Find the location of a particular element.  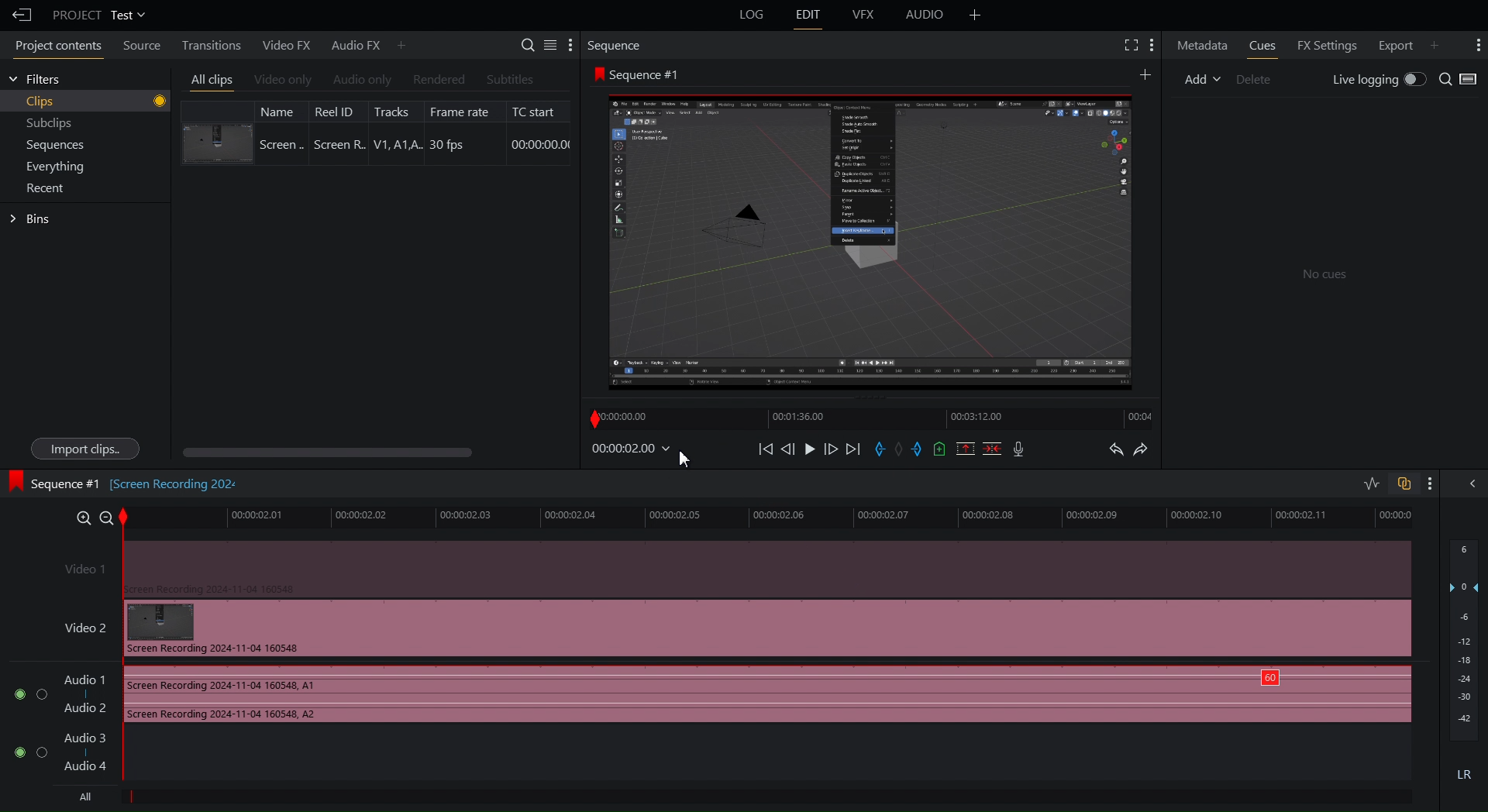

Zoom is located at coordinates (88, 515).